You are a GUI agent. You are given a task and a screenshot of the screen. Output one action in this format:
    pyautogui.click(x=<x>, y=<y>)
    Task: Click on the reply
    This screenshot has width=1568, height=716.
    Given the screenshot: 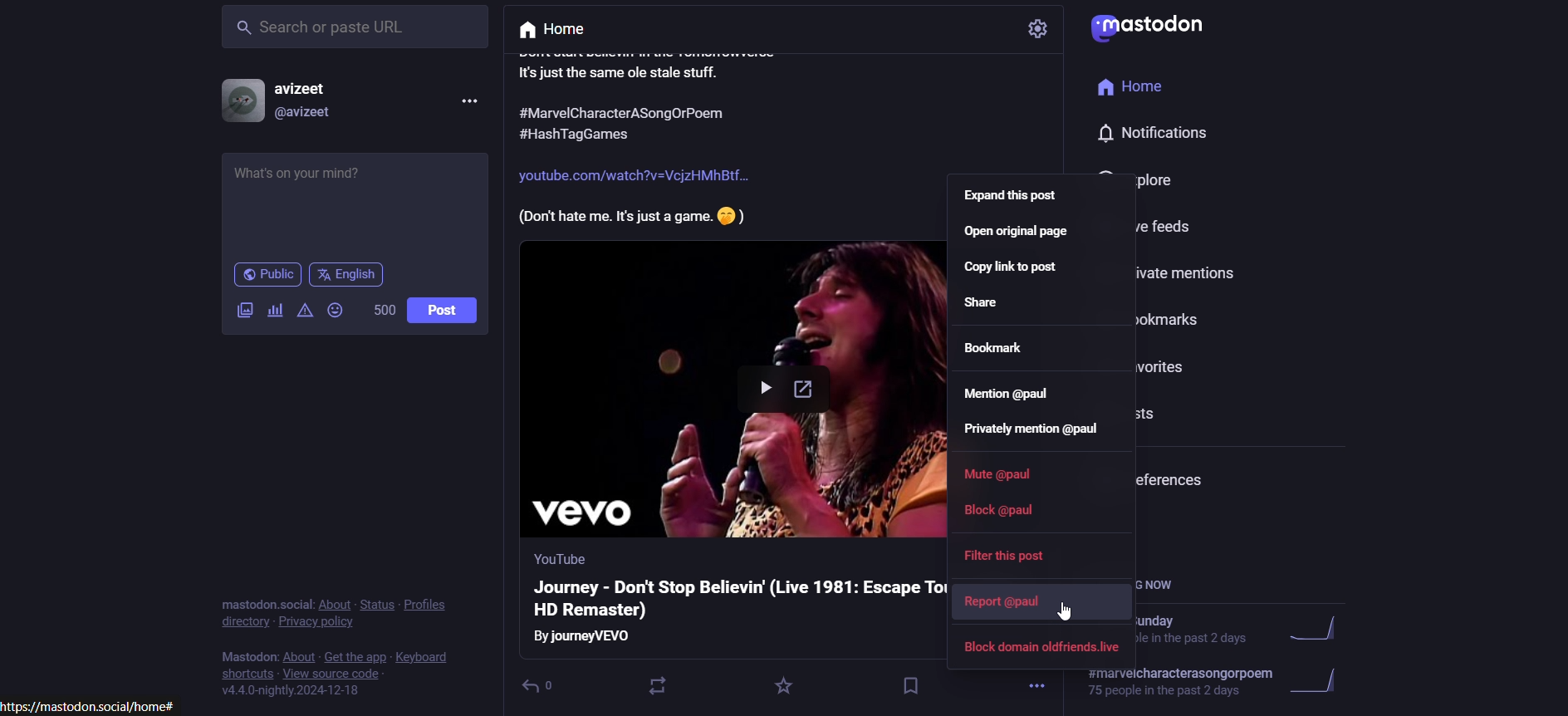 What is the action you would take?
    pyautogui.click(x=547, y=684)
    